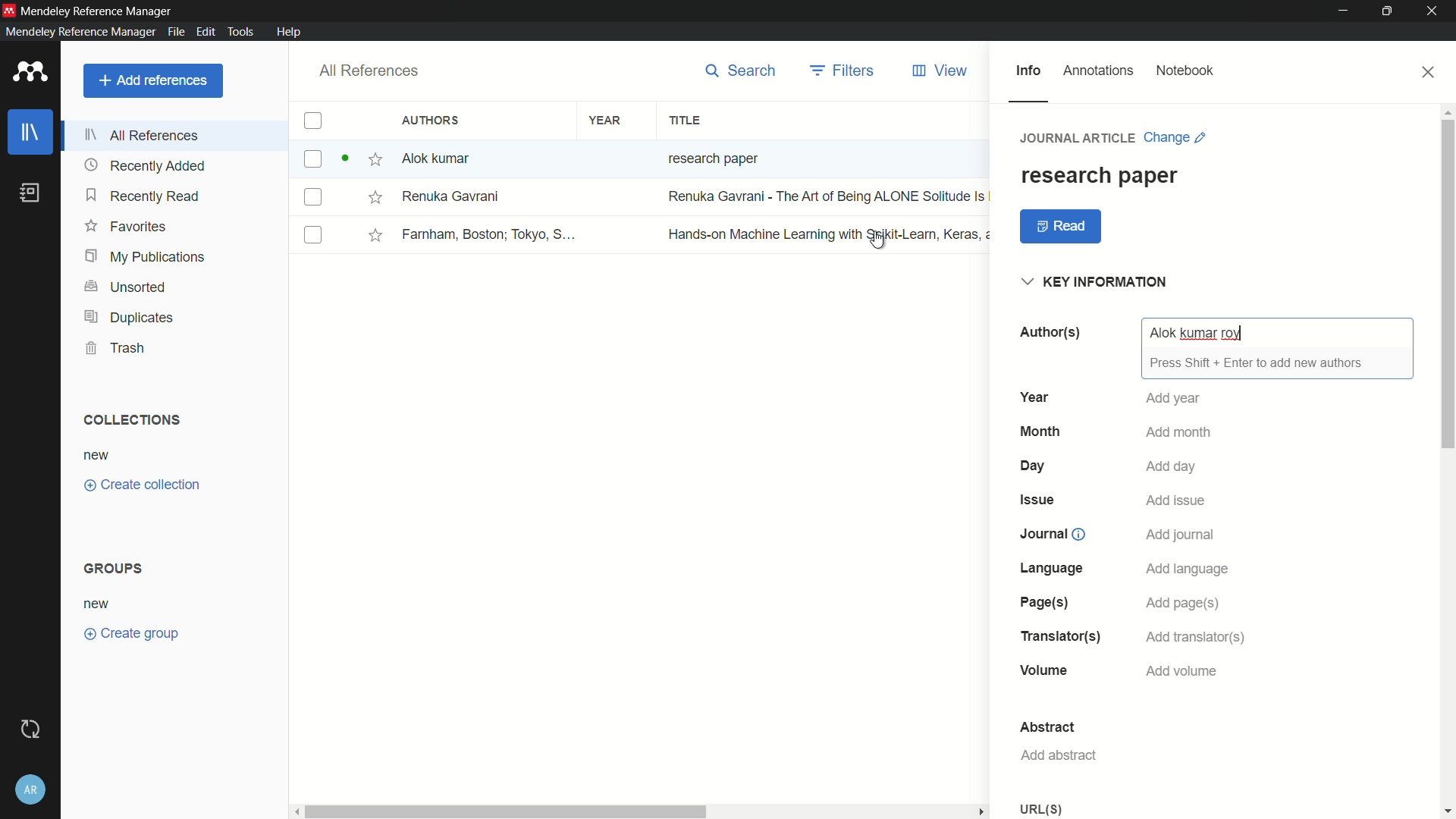  What do you see at coordinates (877, 240) in the screenshot?
I see `cursor` at bounding box center [877, 240].